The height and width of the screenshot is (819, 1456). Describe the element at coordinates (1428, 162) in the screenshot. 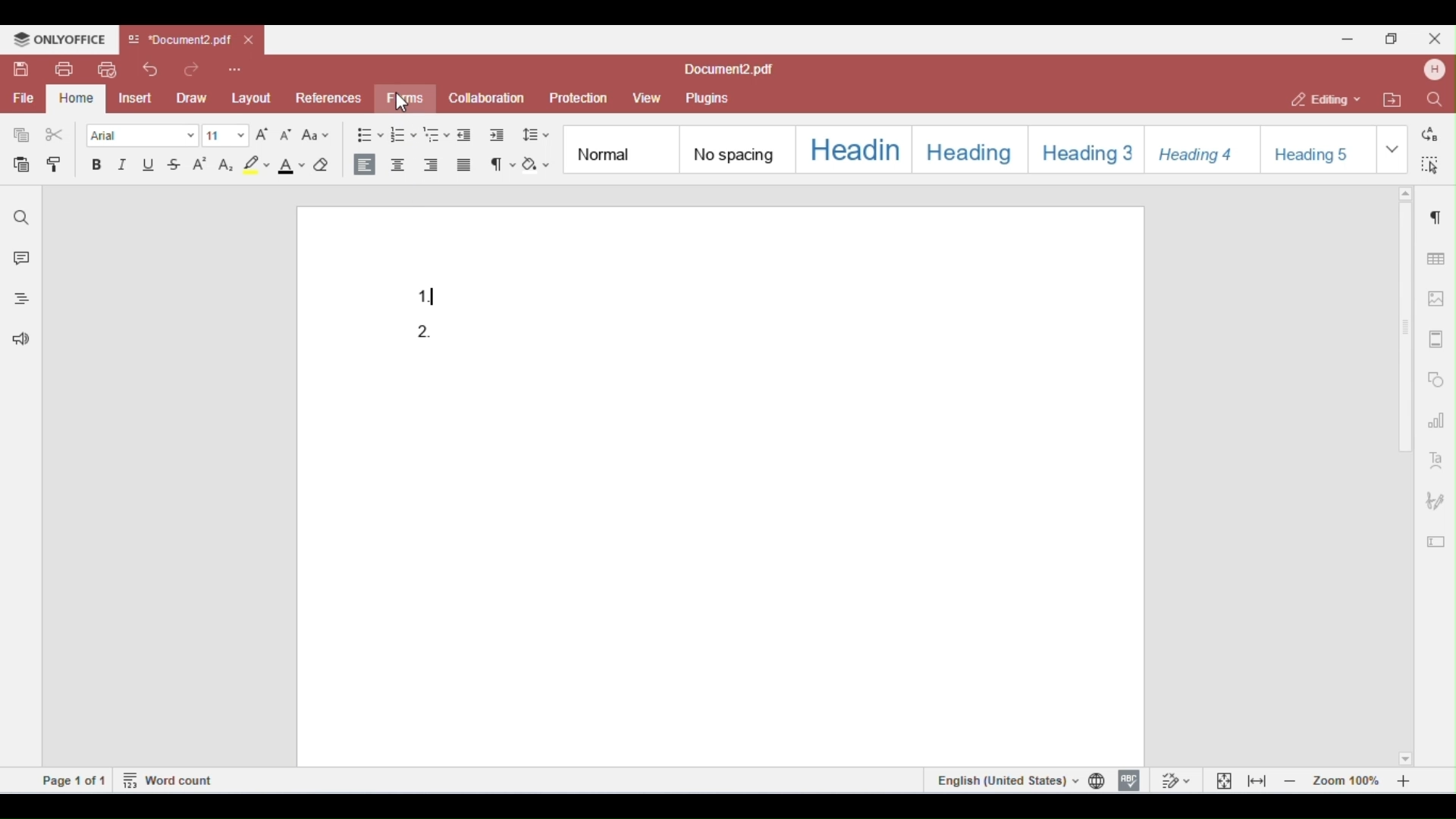

I see `select all` at that location.